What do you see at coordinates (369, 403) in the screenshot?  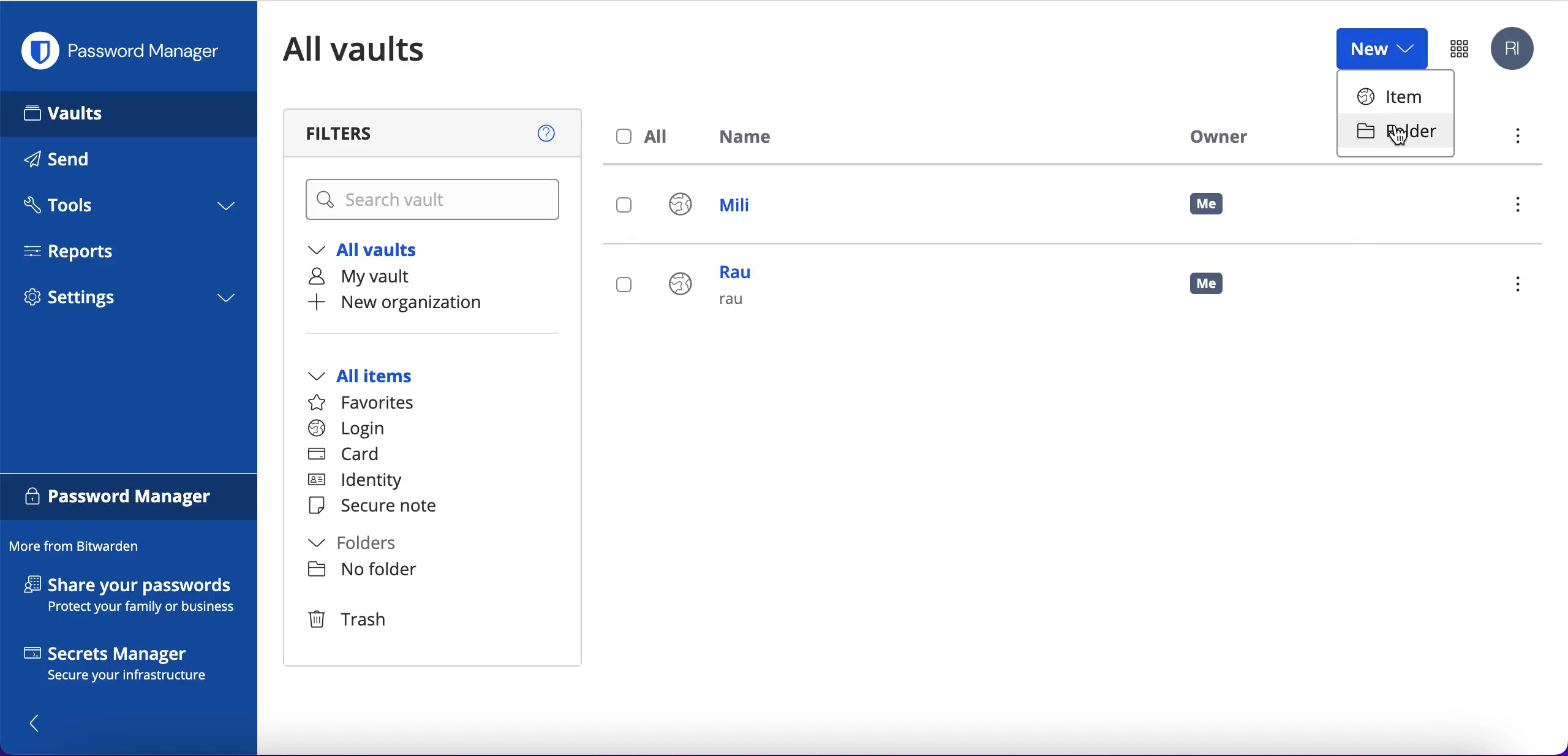 I see `favorites` at bounding box center [369, 403].